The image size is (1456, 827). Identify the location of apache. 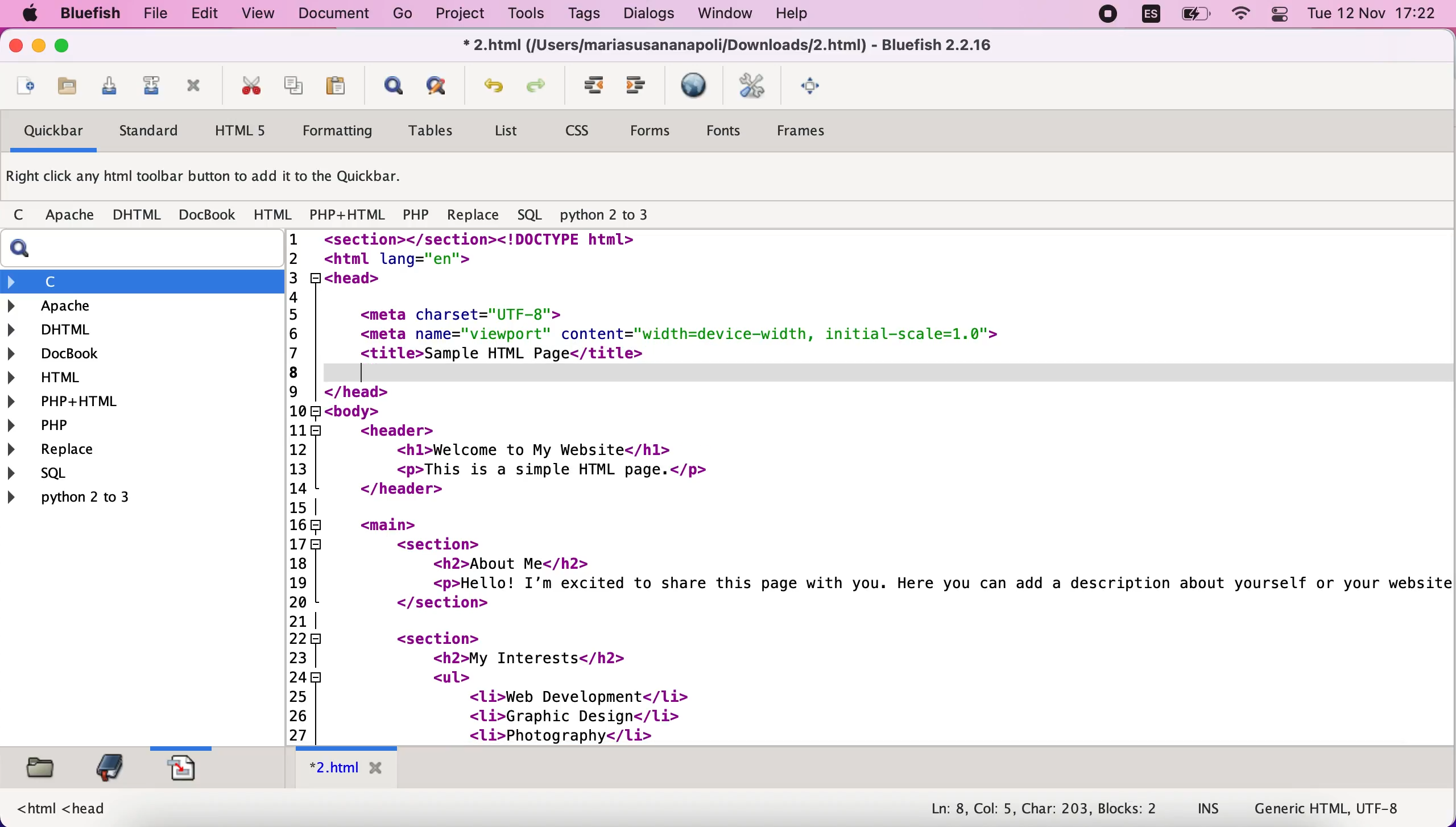
(73, 215).